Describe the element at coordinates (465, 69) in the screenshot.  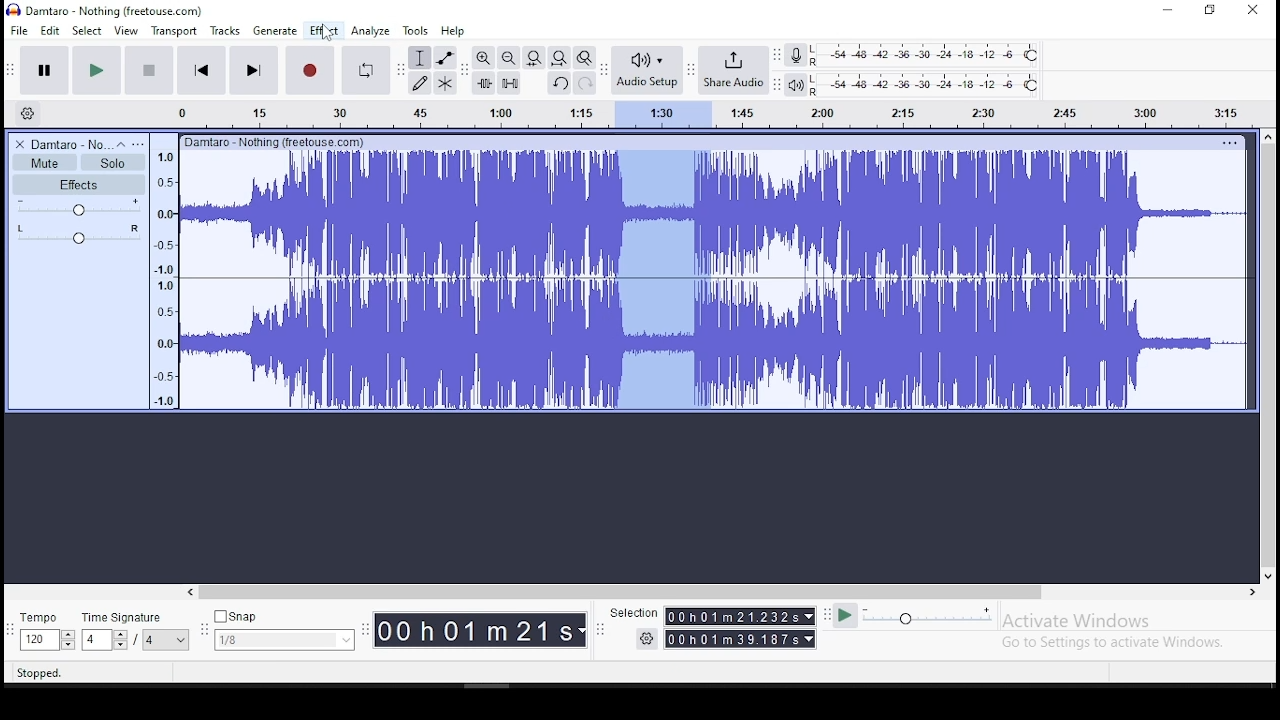
I see `` at that location.